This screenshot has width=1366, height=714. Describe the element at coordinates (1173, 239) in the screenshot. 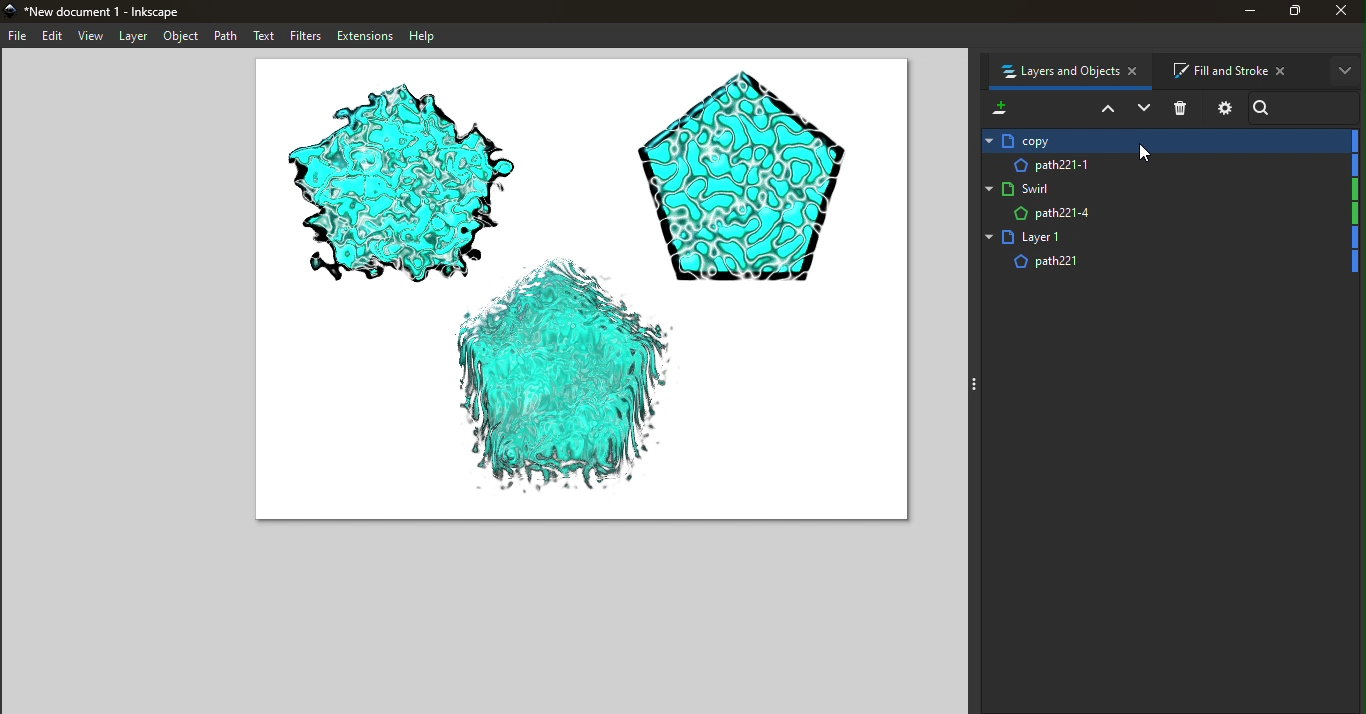

I see `Layer` at that location.